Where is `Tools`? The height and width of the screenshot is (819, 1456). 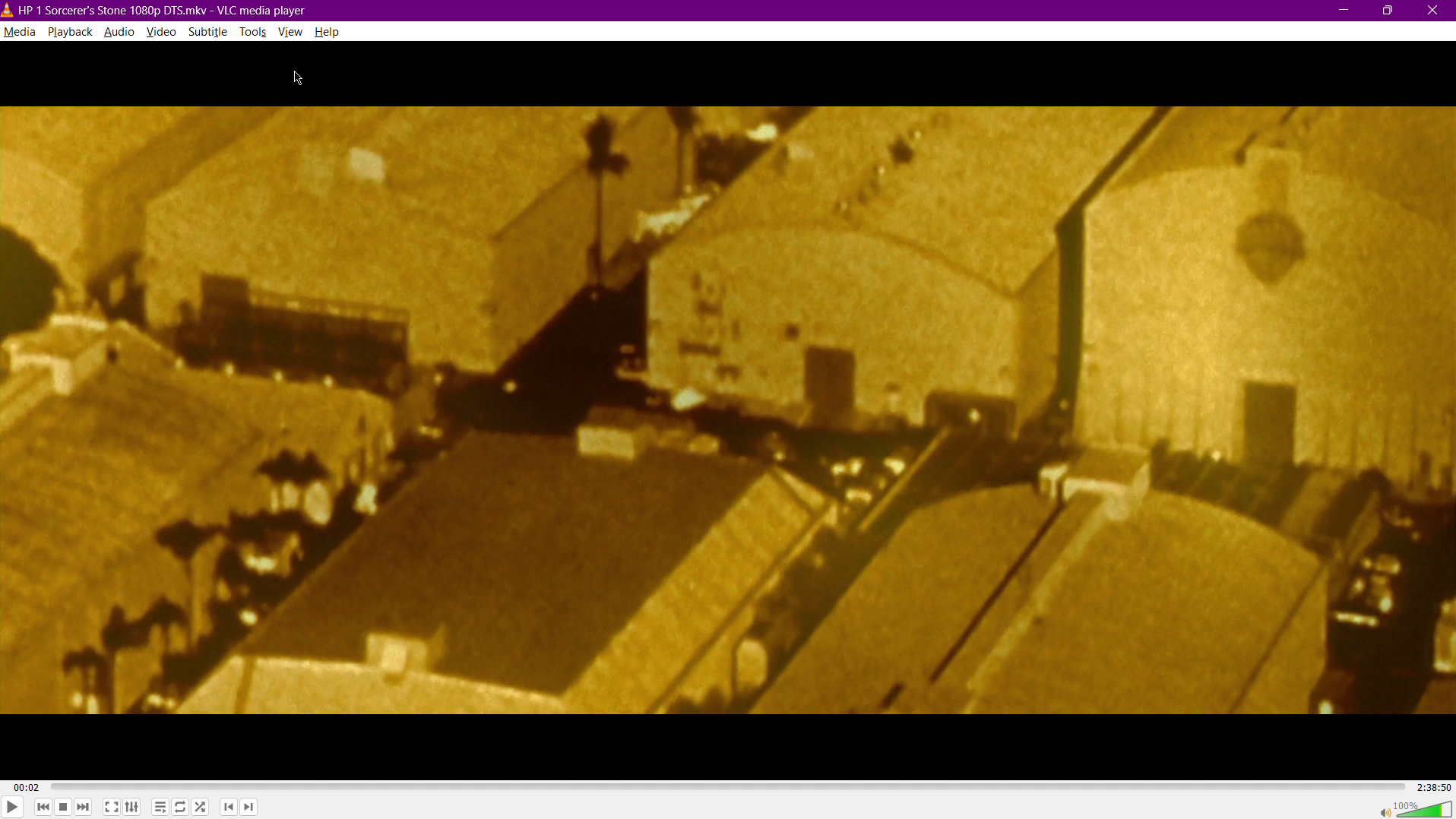 Tools is located at coordinates (255, 33).